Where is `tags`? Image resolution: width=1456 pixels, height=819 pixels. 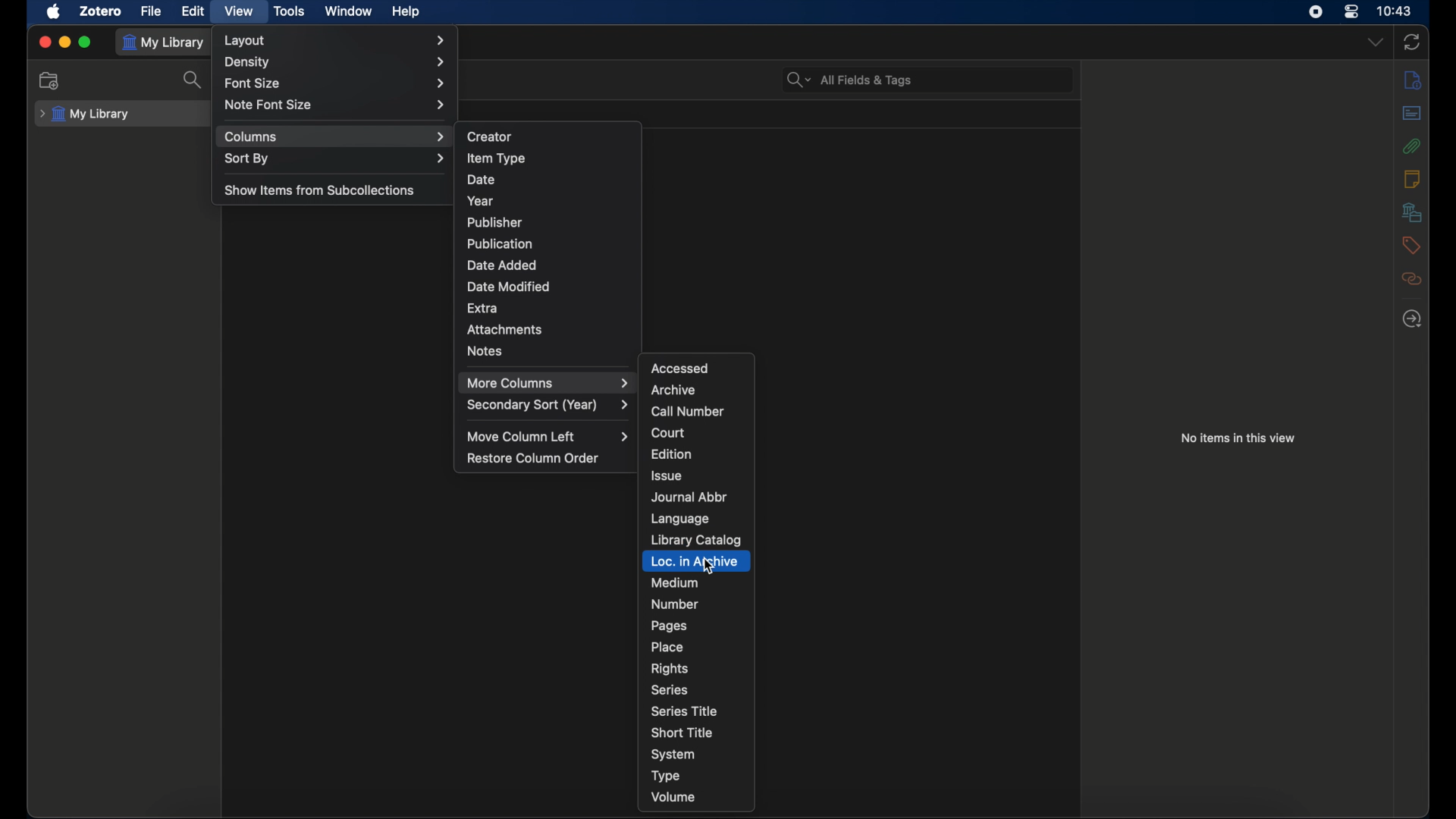
tags is located at coordinates (1411, 244).